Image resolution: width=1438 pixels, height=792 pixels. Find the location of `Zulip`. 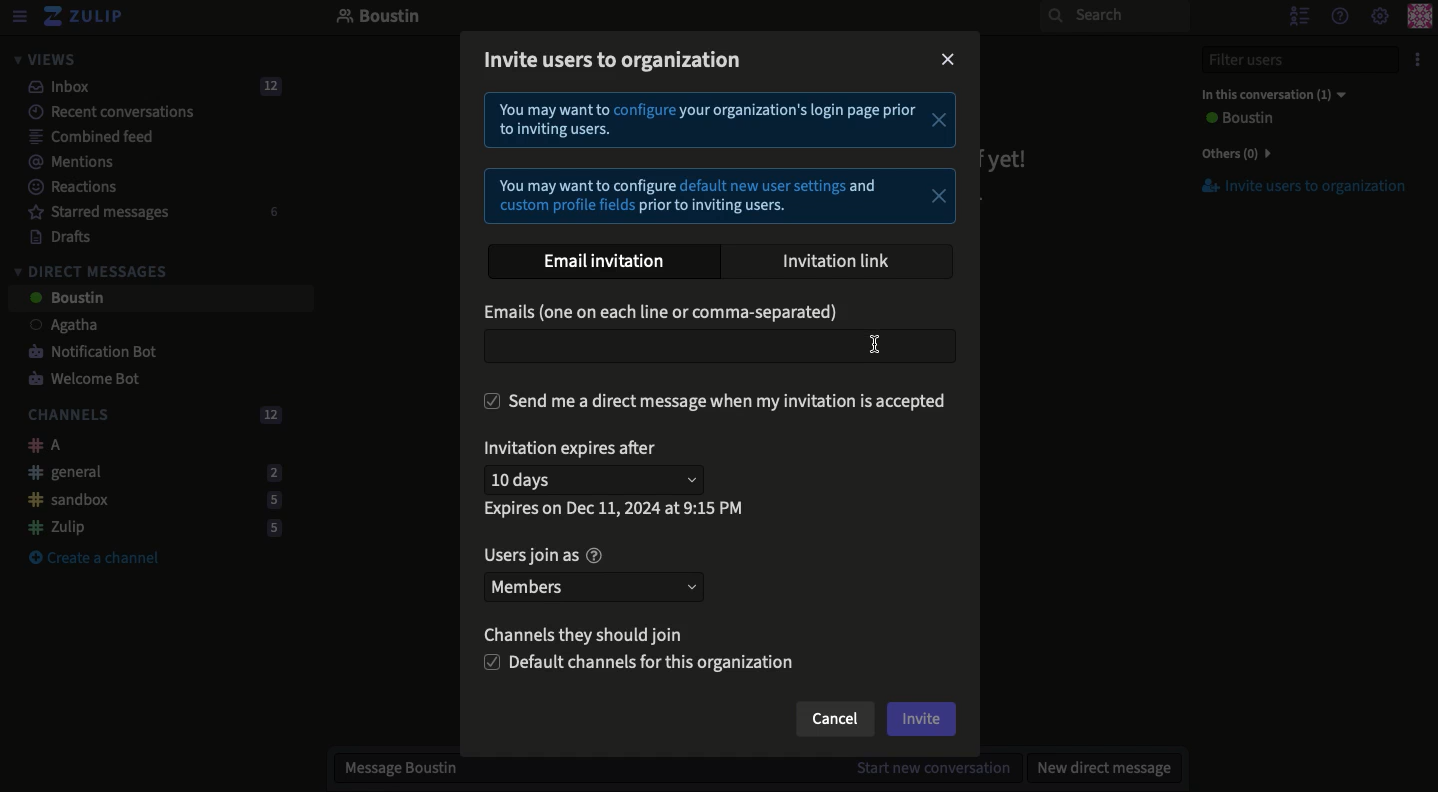

Zulip is located at coordinates (85, 17).